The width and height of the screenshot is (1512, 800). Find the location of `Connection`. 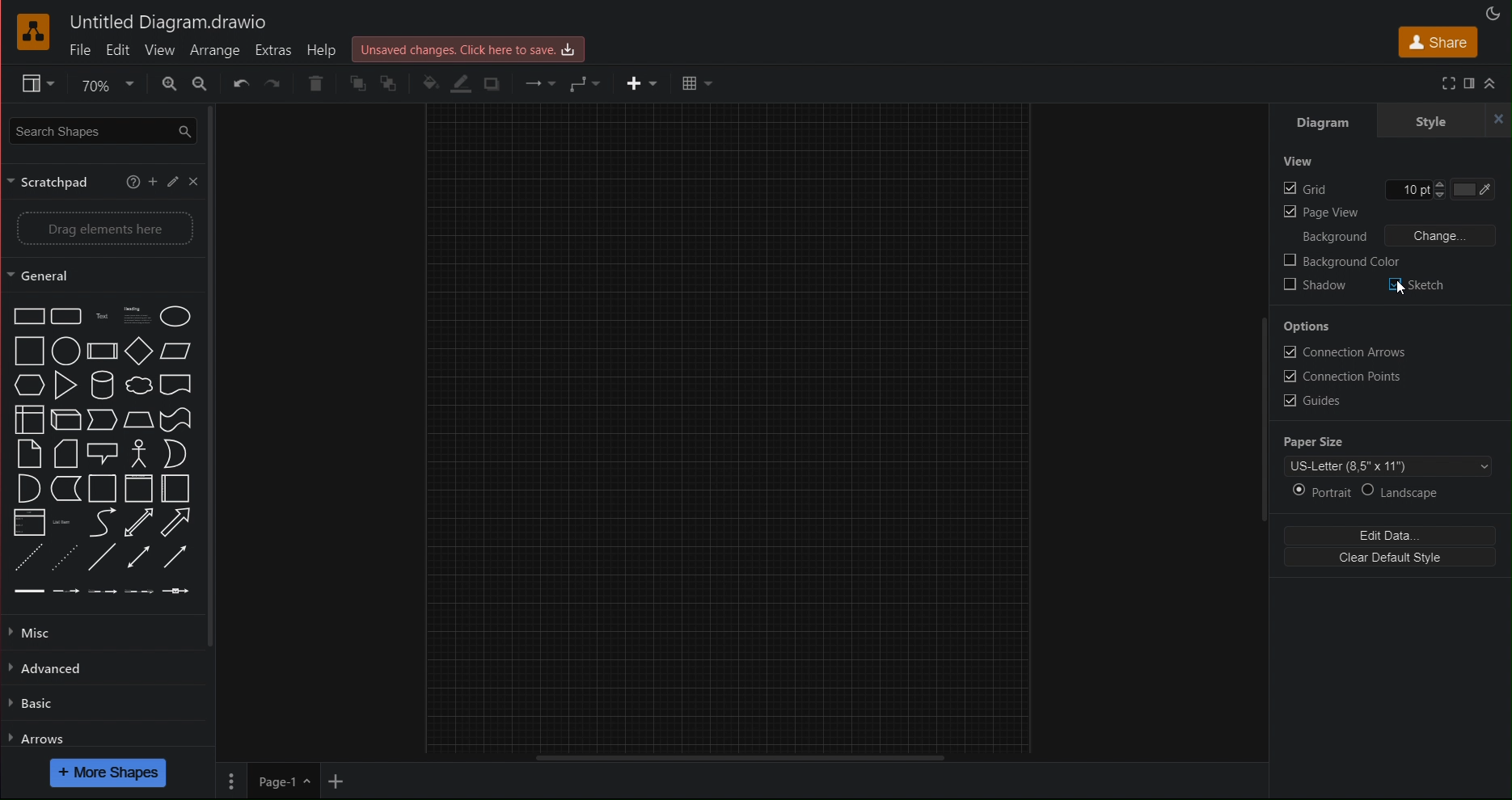

Connection is located at coordinates (536, 82).